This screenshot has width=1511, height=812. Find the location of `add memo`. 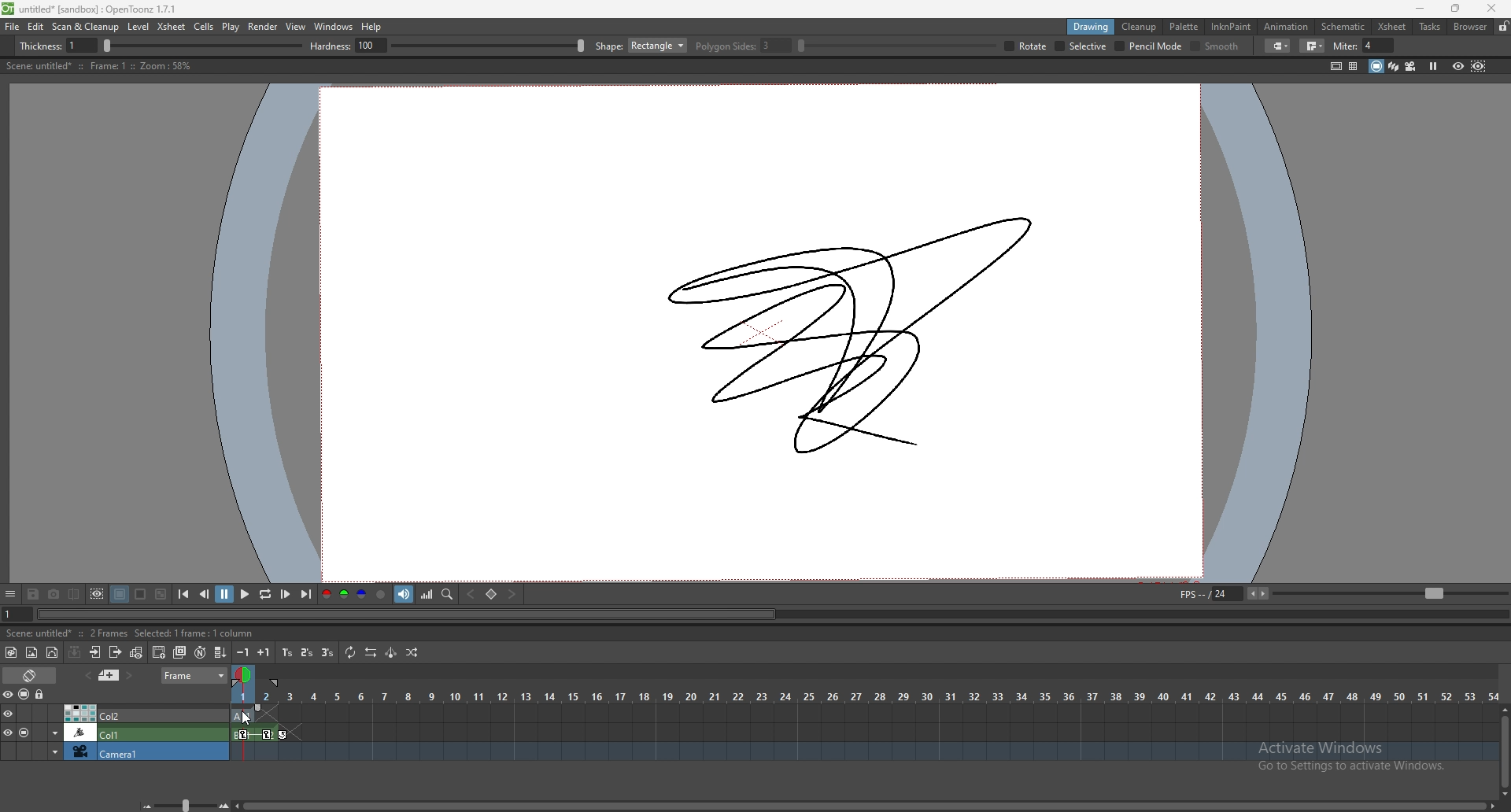

add memo is located at coordinates (109, 674).